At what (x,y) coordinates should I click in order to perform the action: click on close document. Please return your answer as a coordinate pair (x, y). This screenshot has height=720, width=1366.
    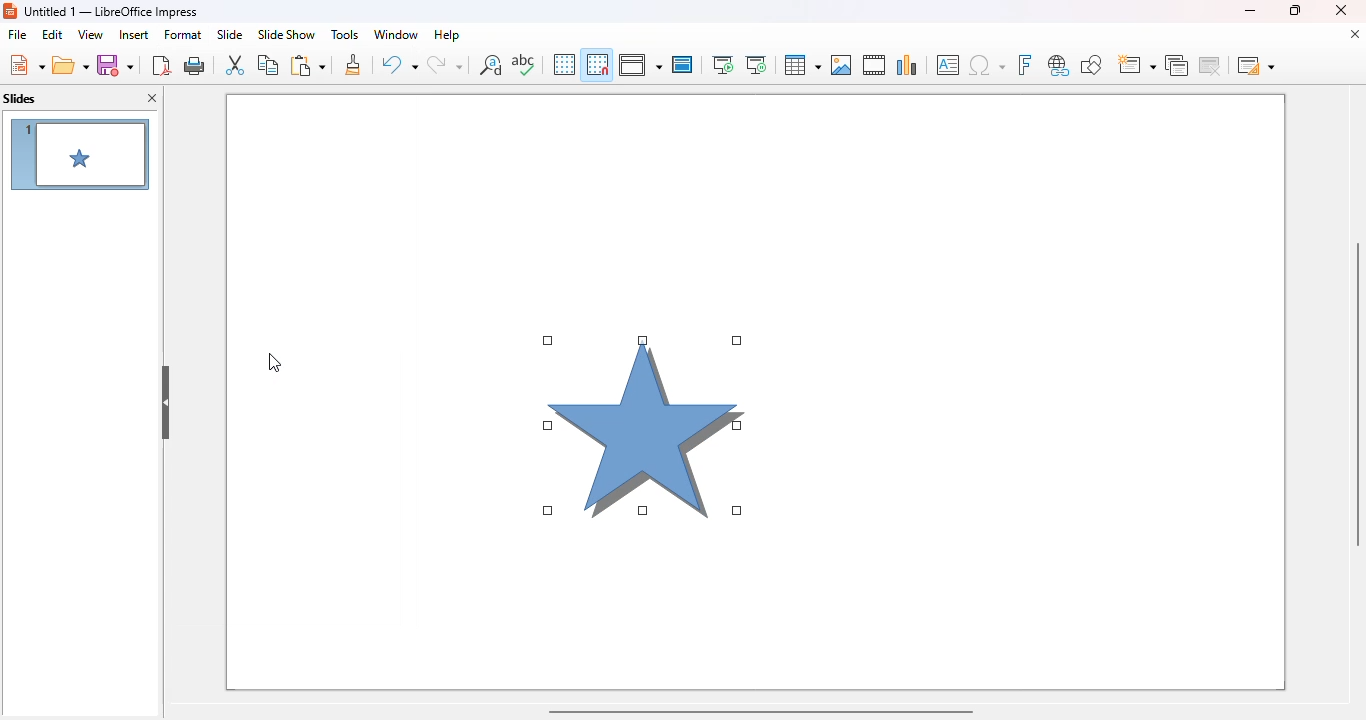
    Looking at the image, I should click on (1354, 34).